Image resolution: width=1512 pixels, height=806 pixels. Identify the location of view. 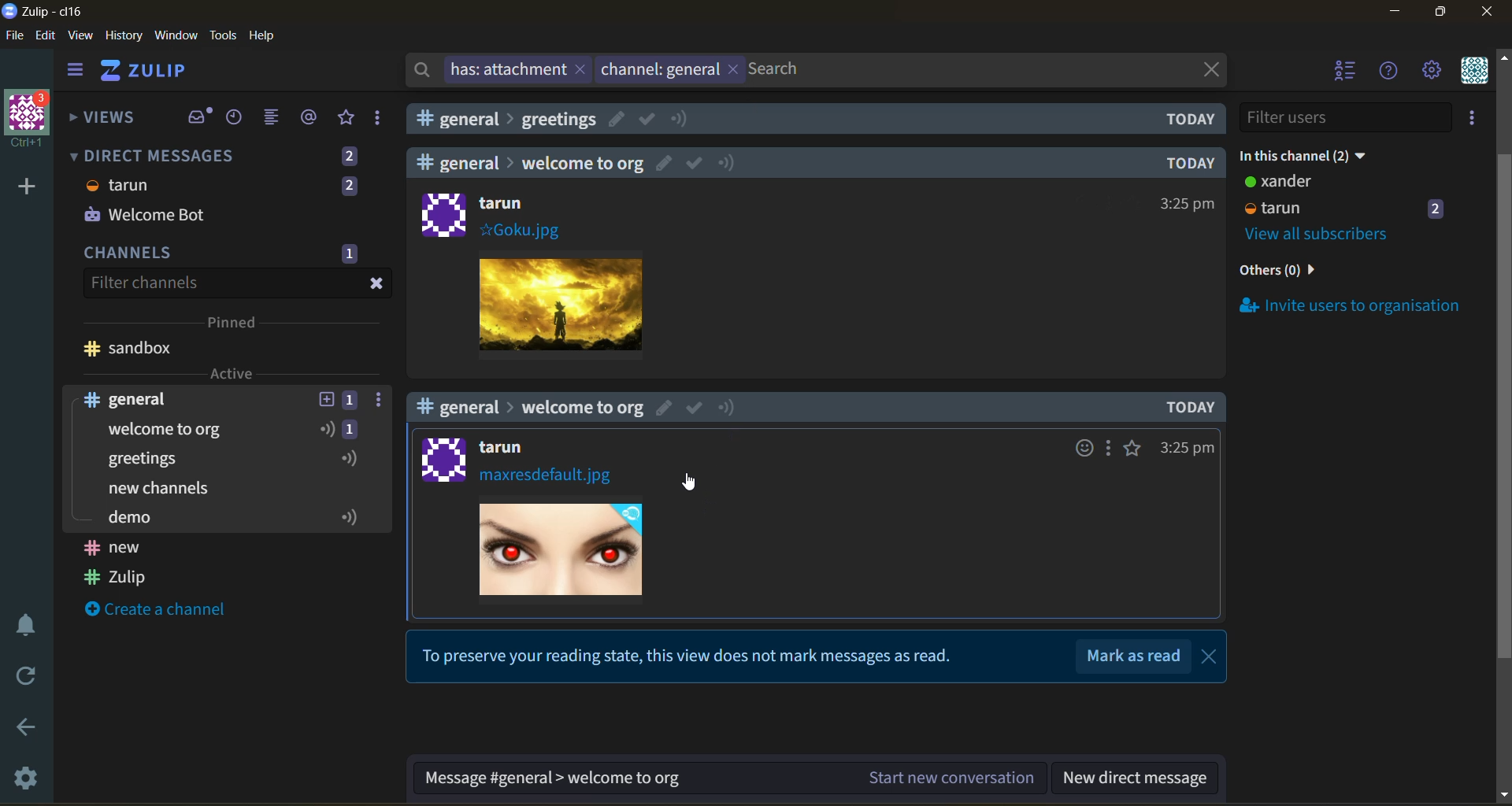
(80, 35).